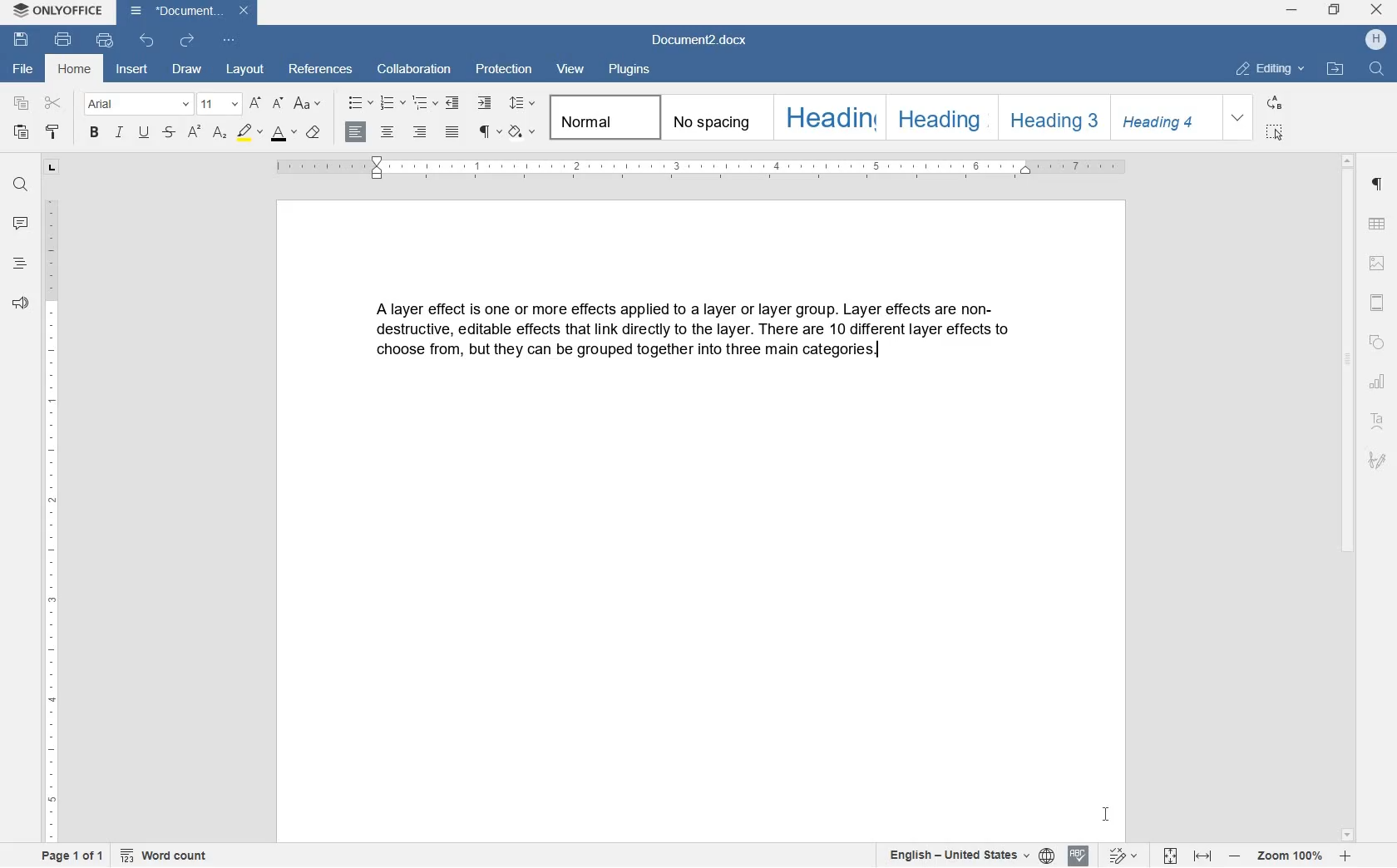 The image size is (1397, 868). What do you see at coordinates (318, 68) in the screenshot?
I see `REFERENCES` at bounding box center [318, 68].